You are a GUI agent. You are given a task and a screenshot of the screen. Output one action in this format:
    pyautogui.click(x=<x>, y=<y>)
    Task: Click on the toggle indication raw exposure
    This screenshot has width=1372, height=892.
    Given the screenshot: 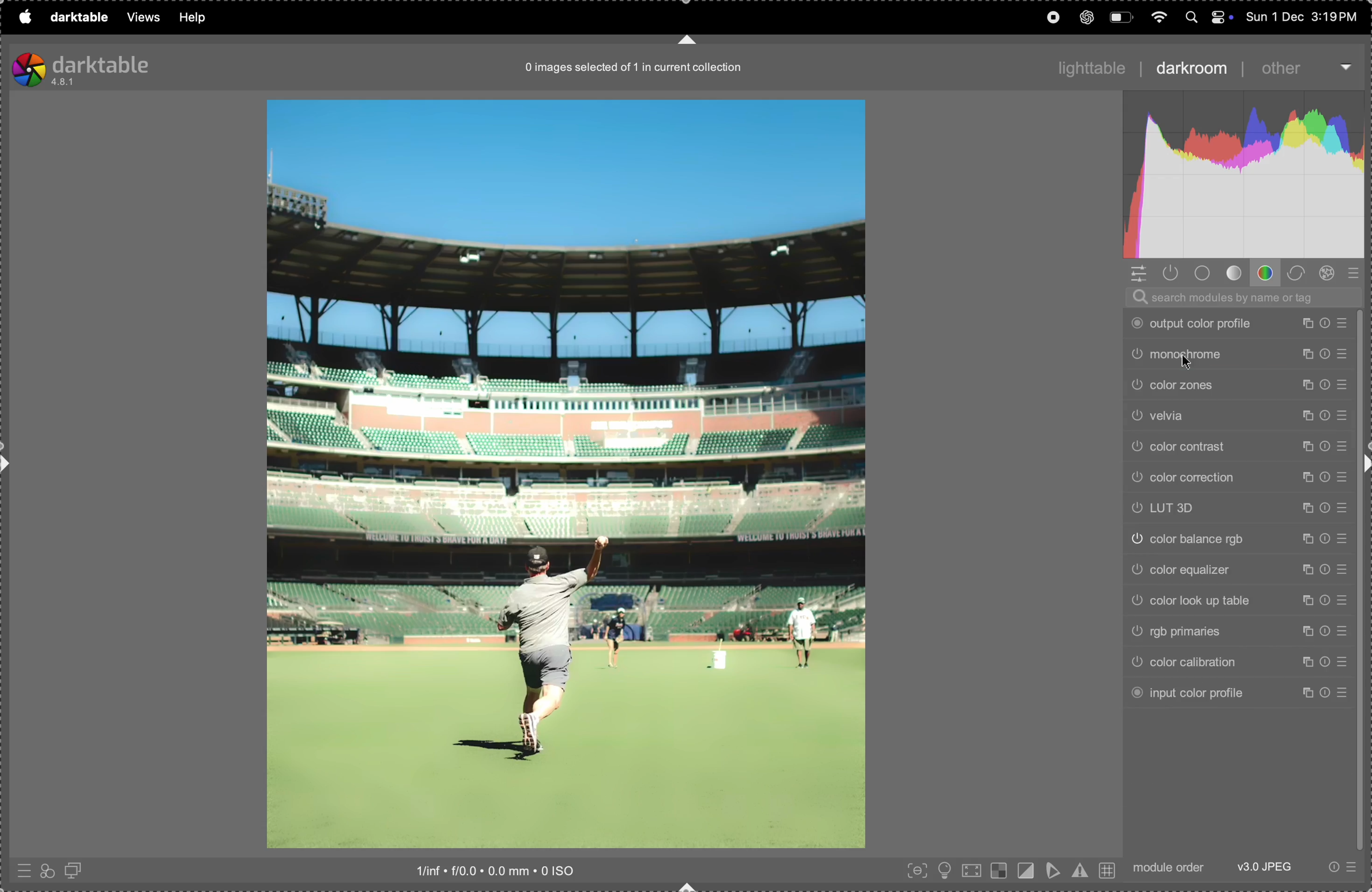 What is the action you would take?
    pyautogui.click(x=999, y=871)
    